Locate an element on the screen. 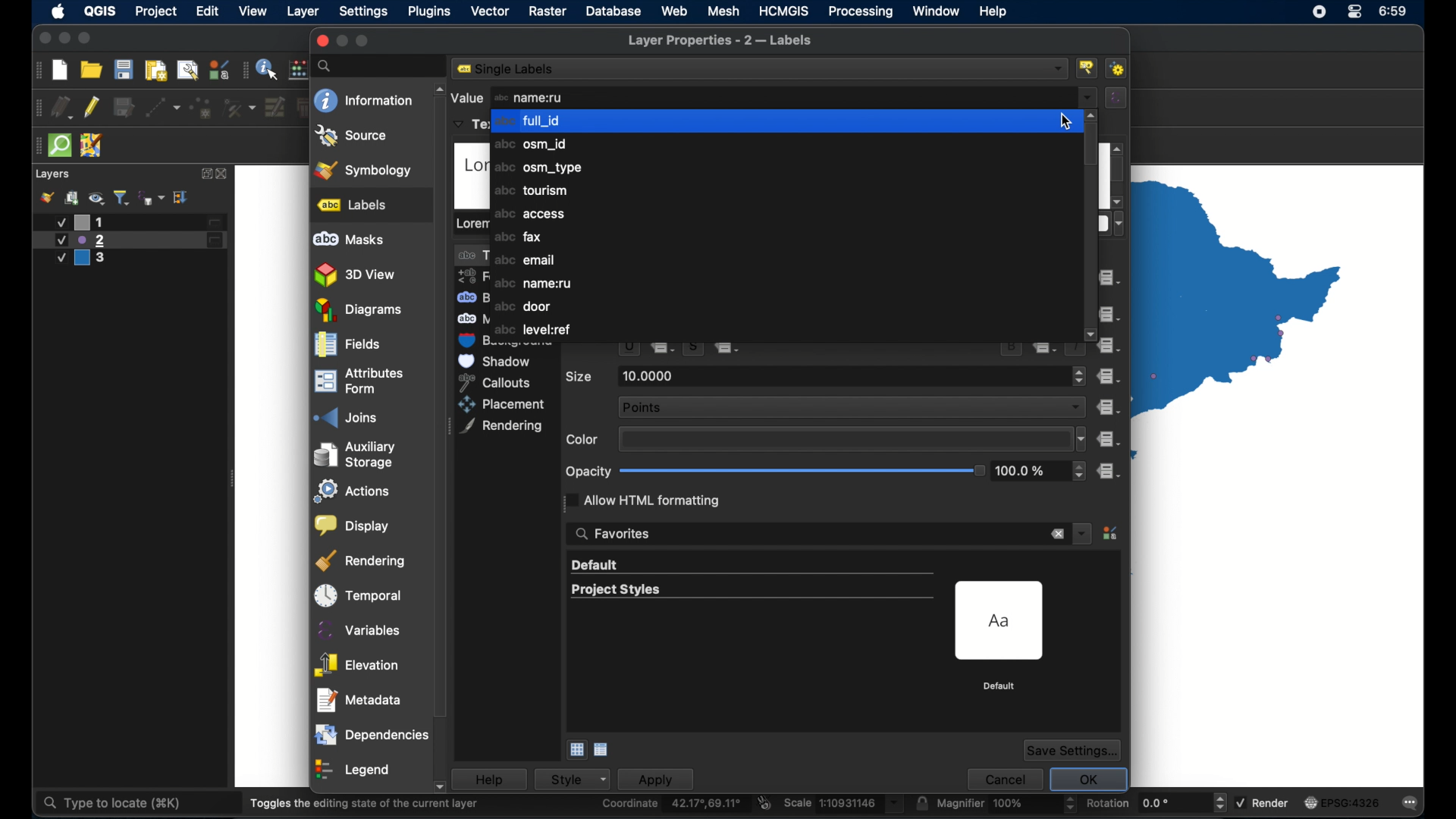 The height and width of the screenshot is (819, 1456). dropdown menu is located at coordinates (1082, 532).